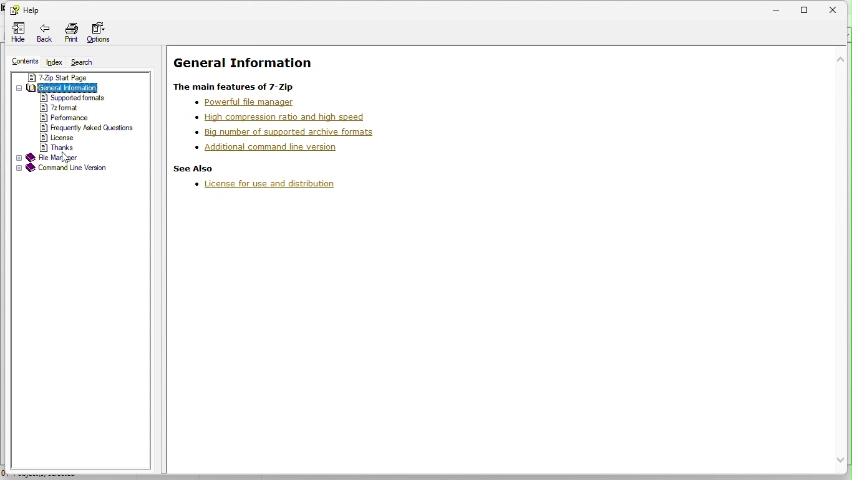  Describe the element at coordinates (253, 103) in the screenshot. I see `Powerful file manager` at that location.